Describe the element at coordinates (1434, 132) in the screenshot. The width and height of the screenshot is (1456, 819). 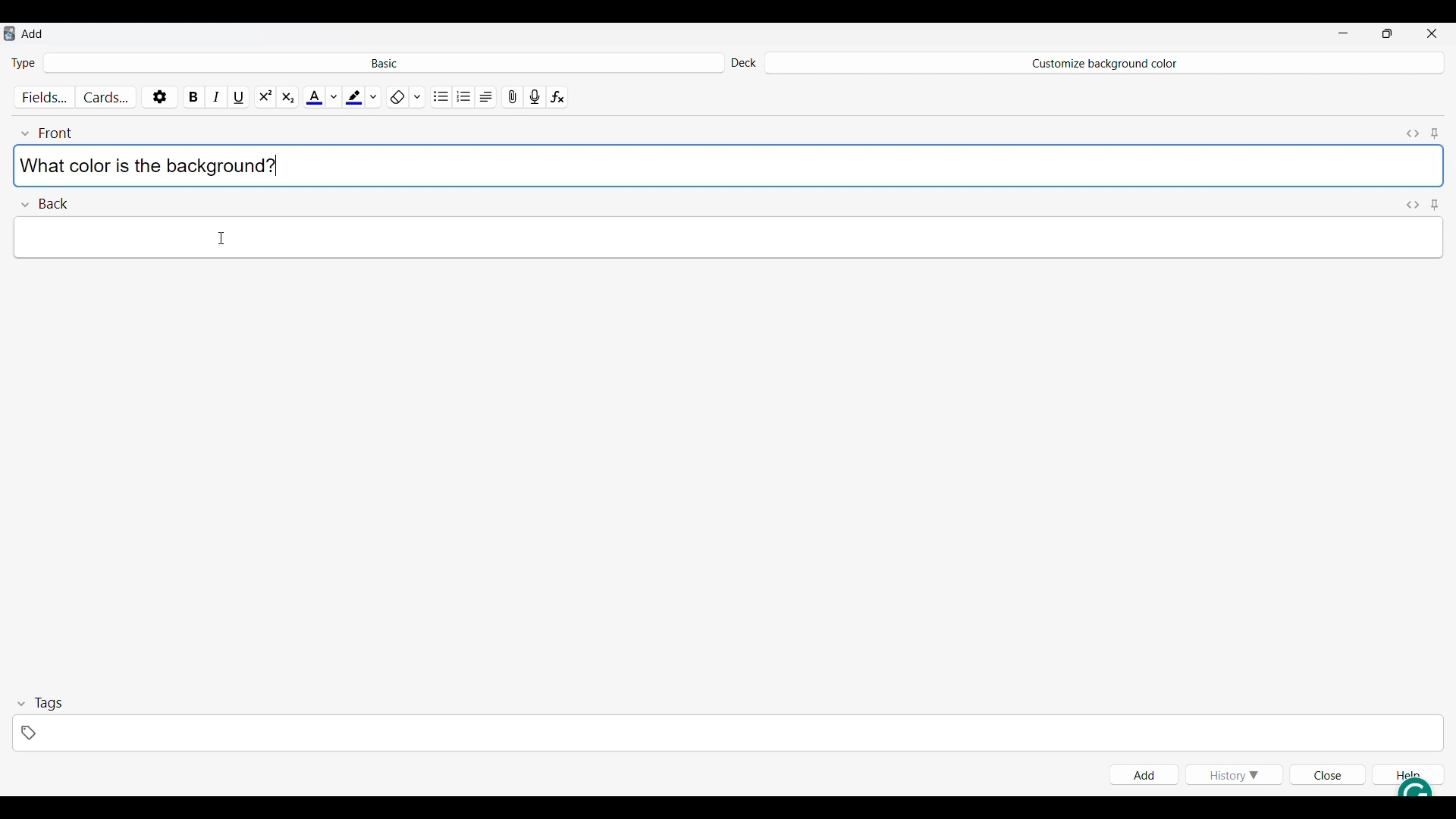
I see `Toggle sticky ` at that location.